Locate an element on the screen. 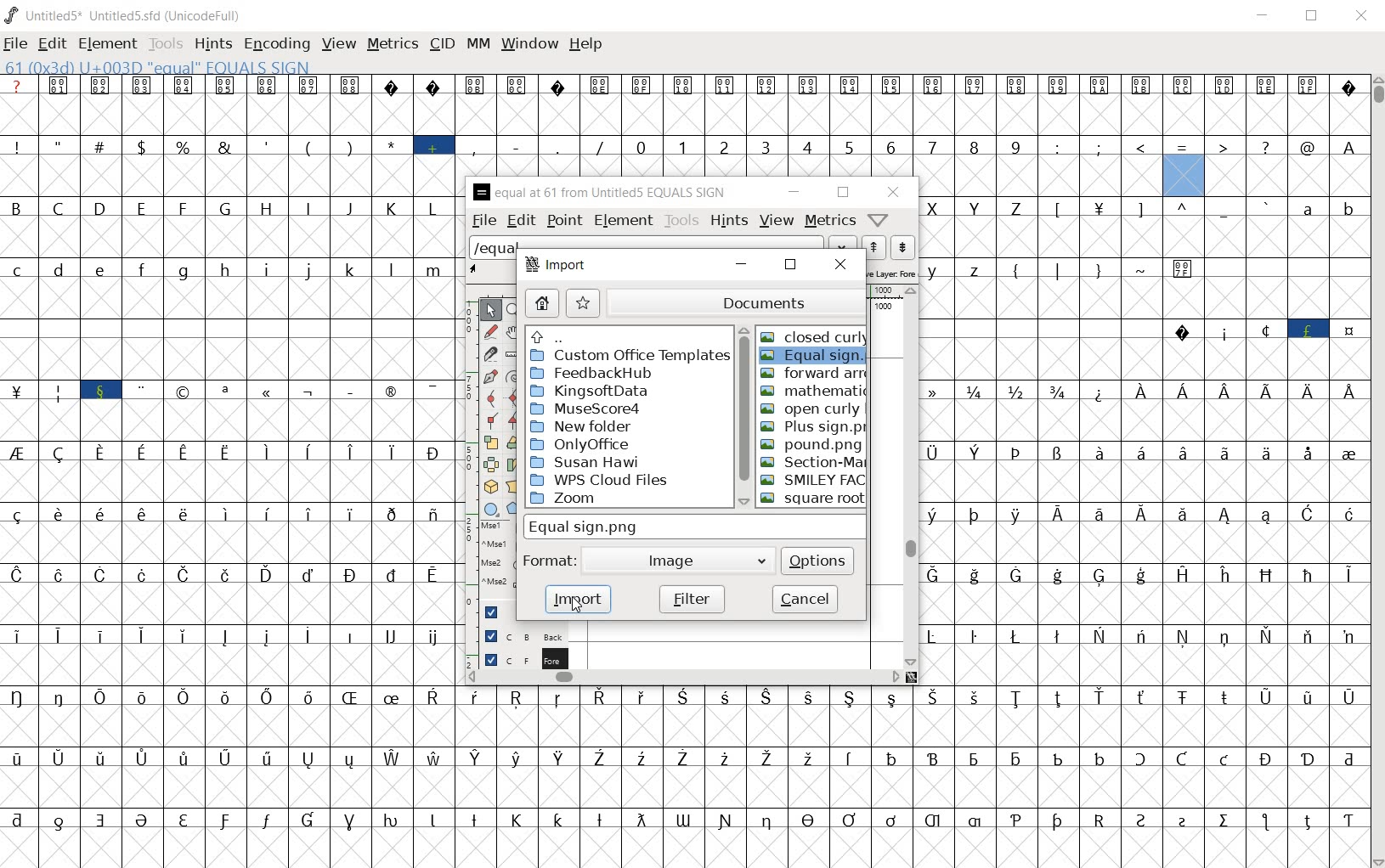 The width and height of the screenshot is (1385, 868). SECTION MARK is located at coordinates (814, 461).